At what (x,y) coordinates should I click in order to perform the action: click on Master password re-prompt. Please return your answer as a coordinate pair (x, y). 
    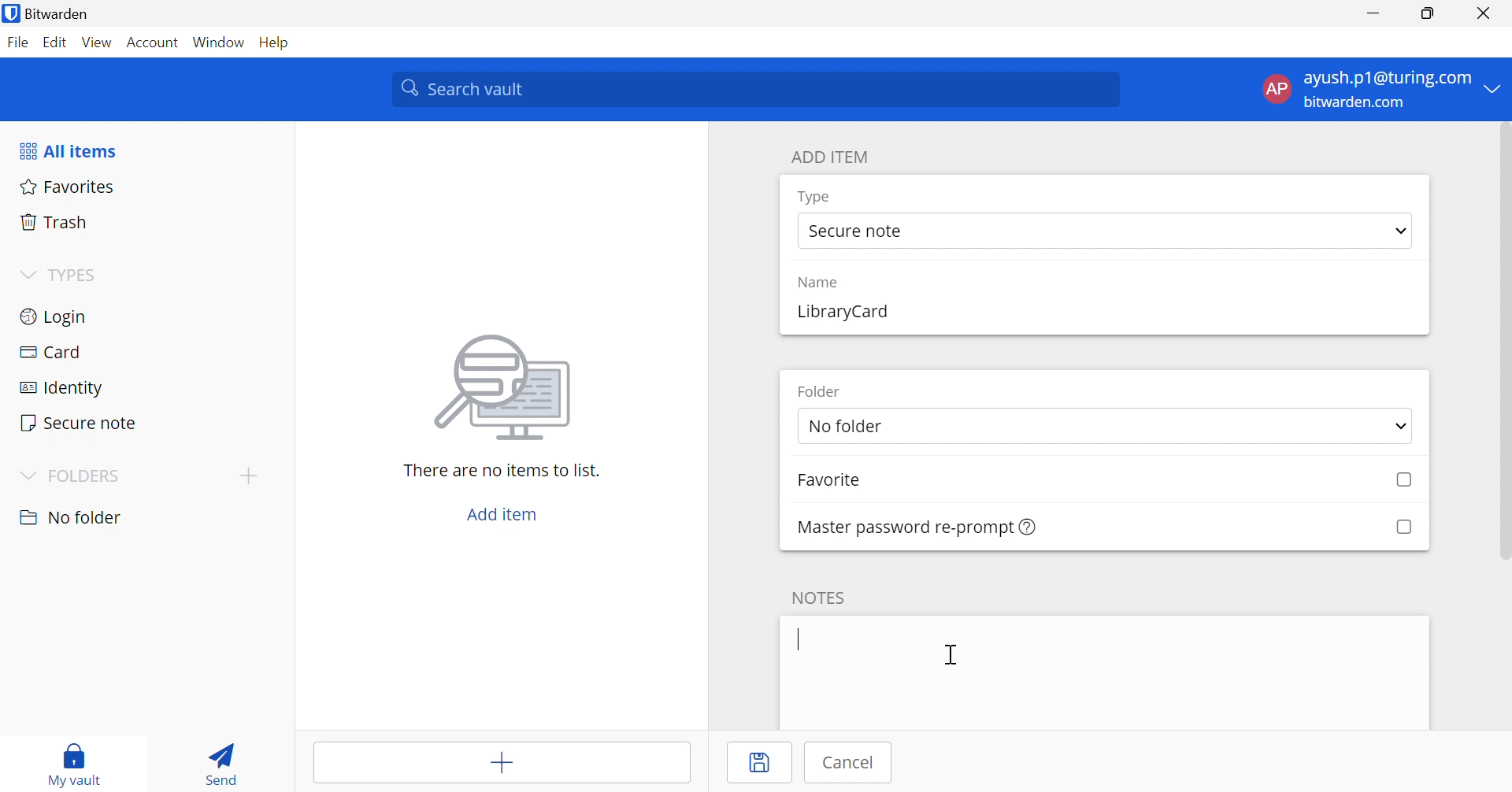
    Looking at the image, I should click on (917, 527).